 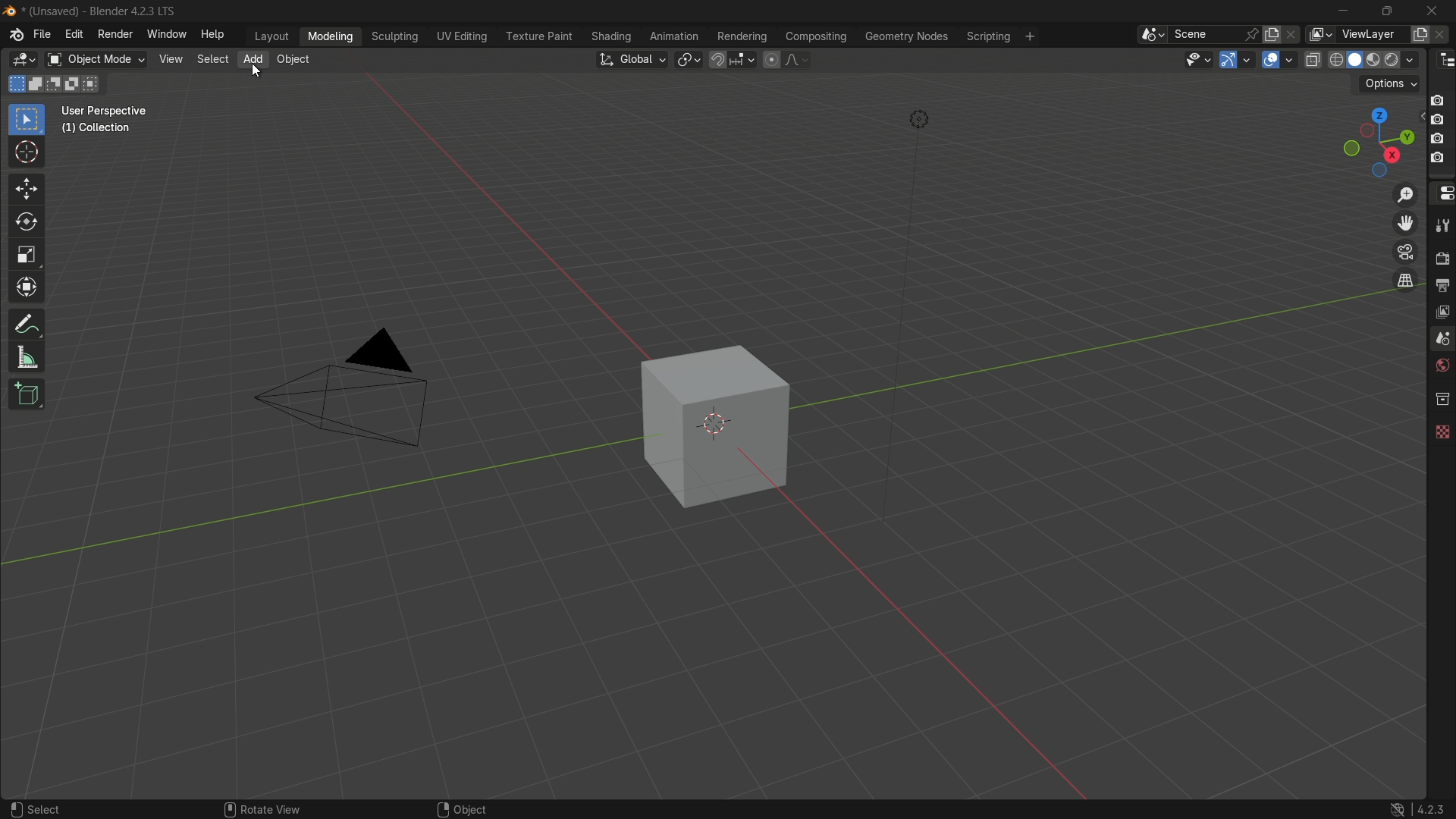 What do you see at coordinates (27, 155) in the screenshot?
I see `cursor` at bounding box center [27, 155].